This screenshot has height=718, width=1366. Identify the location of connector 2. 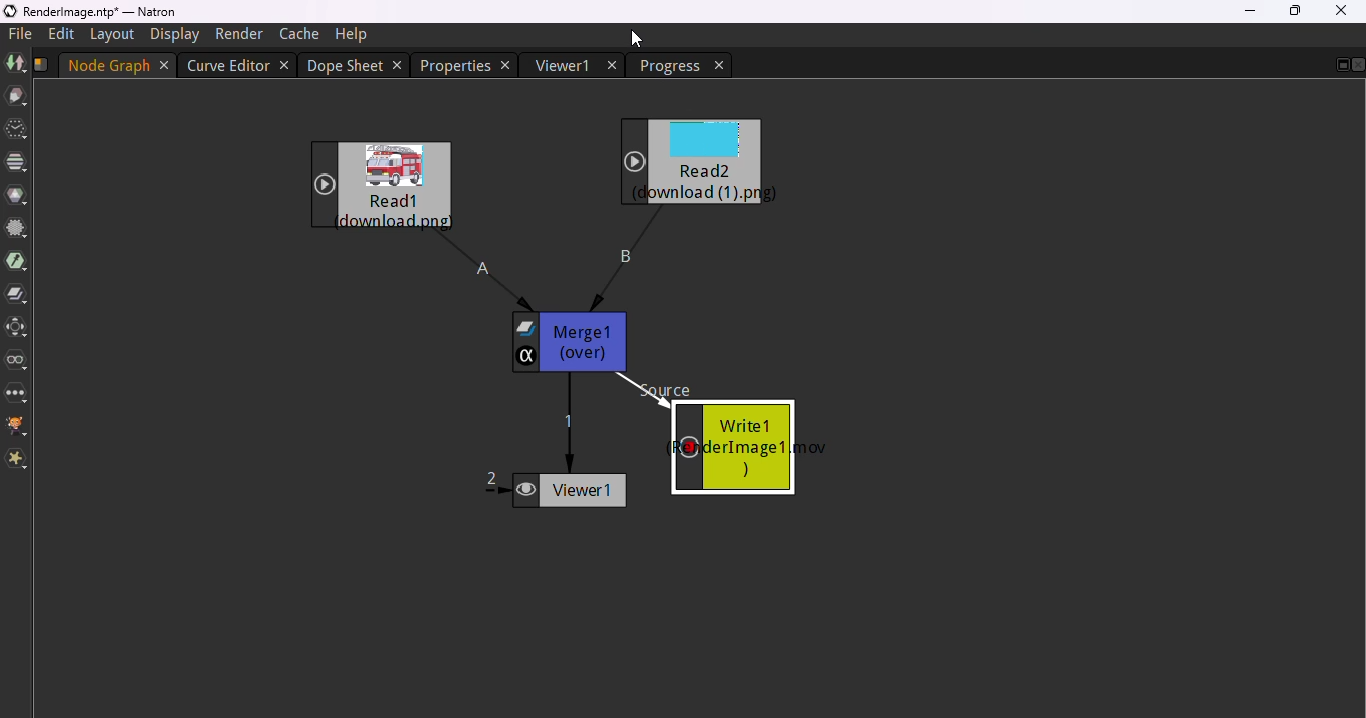
(492, 485).